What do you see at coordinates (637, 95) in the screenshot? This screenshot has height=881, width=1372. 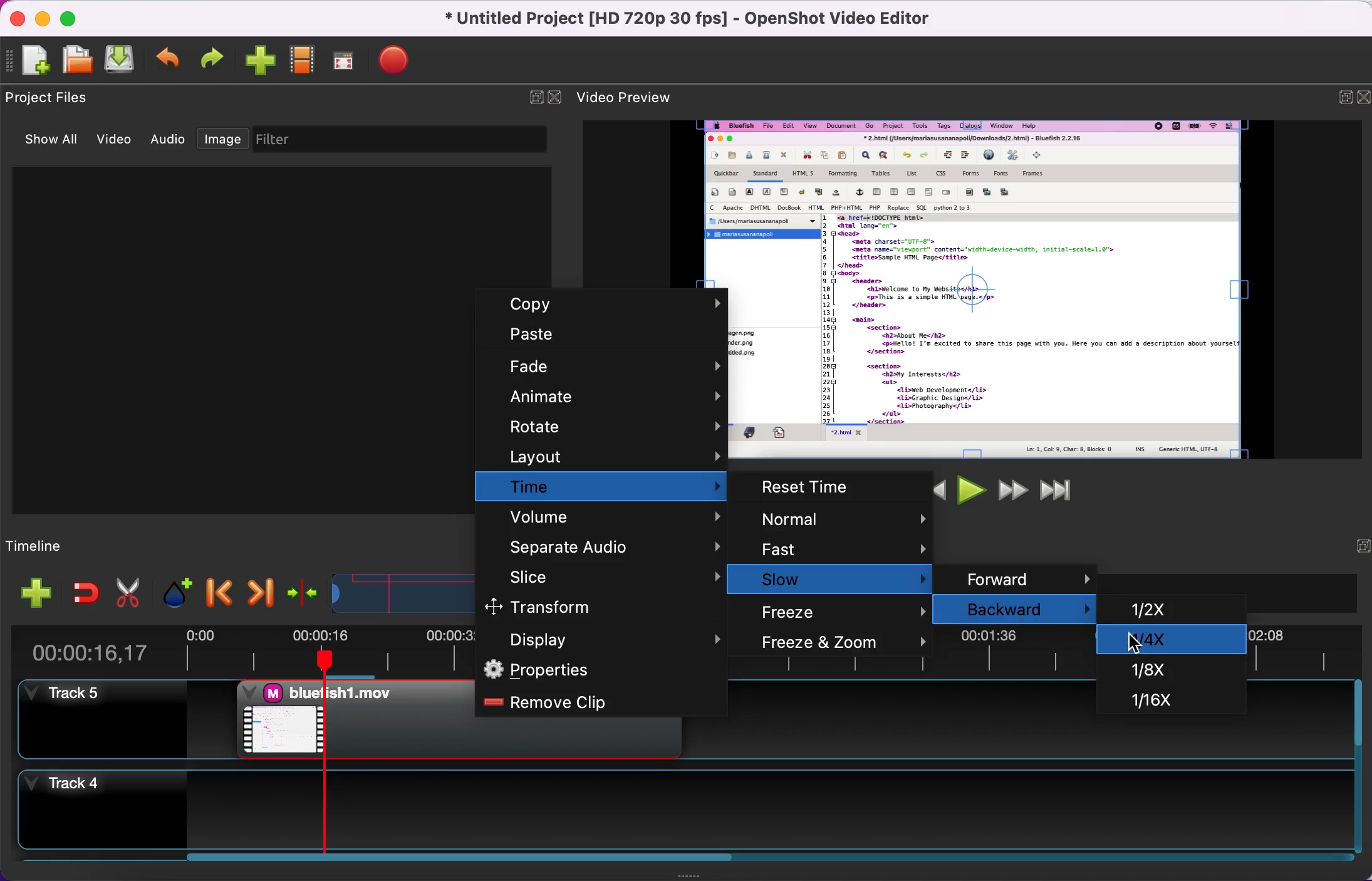 I see `video preview` at bounding box center [637, 95].